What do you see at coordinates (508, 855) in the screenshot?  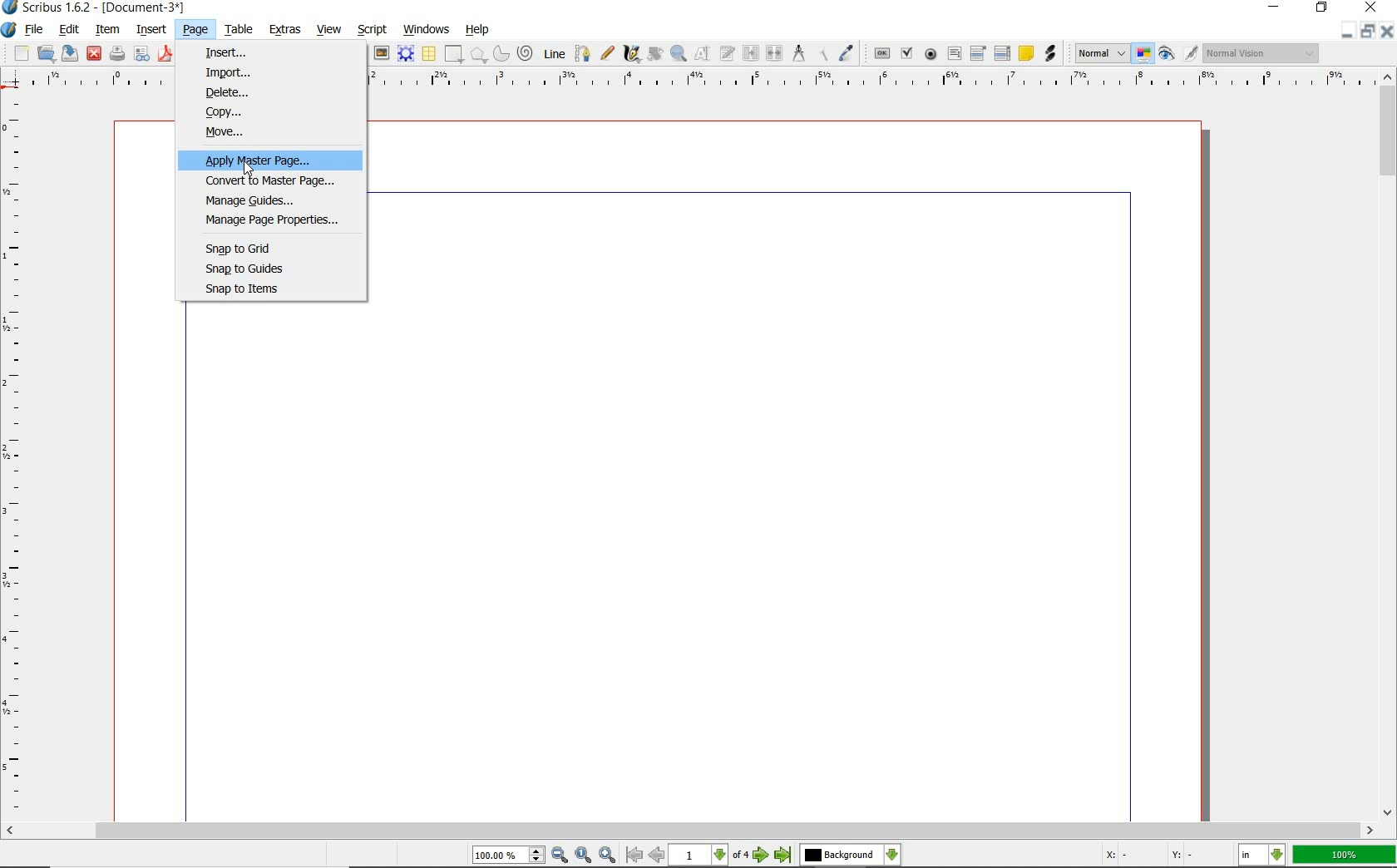 I see `Zoom 100.00%` at bounding box center [508, 855].